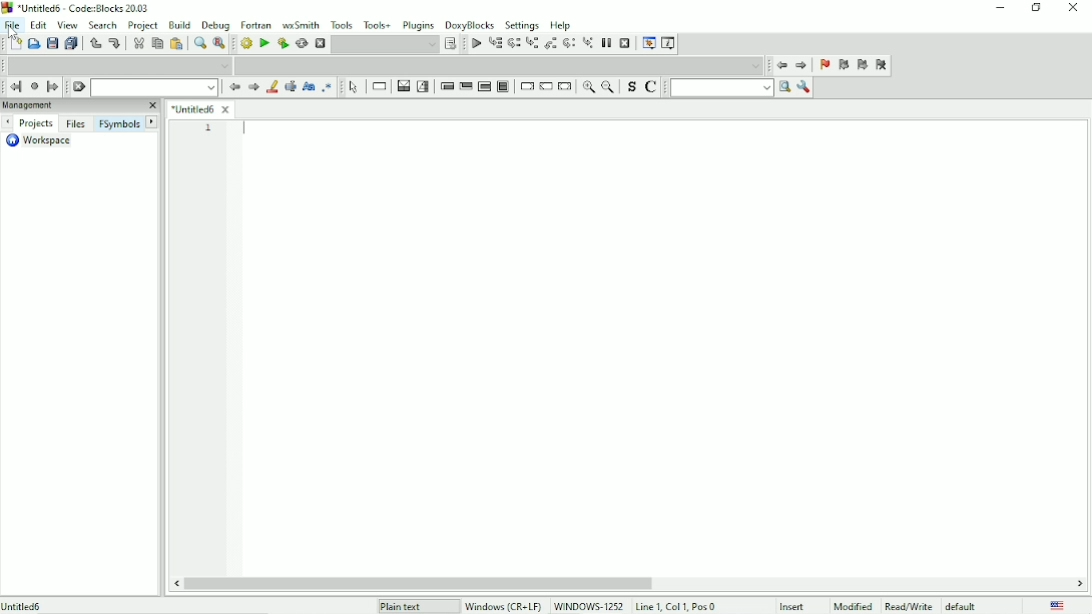  Describe the element at coordinates (377, 23) in the screenshot. I see `Tools+` at that location.